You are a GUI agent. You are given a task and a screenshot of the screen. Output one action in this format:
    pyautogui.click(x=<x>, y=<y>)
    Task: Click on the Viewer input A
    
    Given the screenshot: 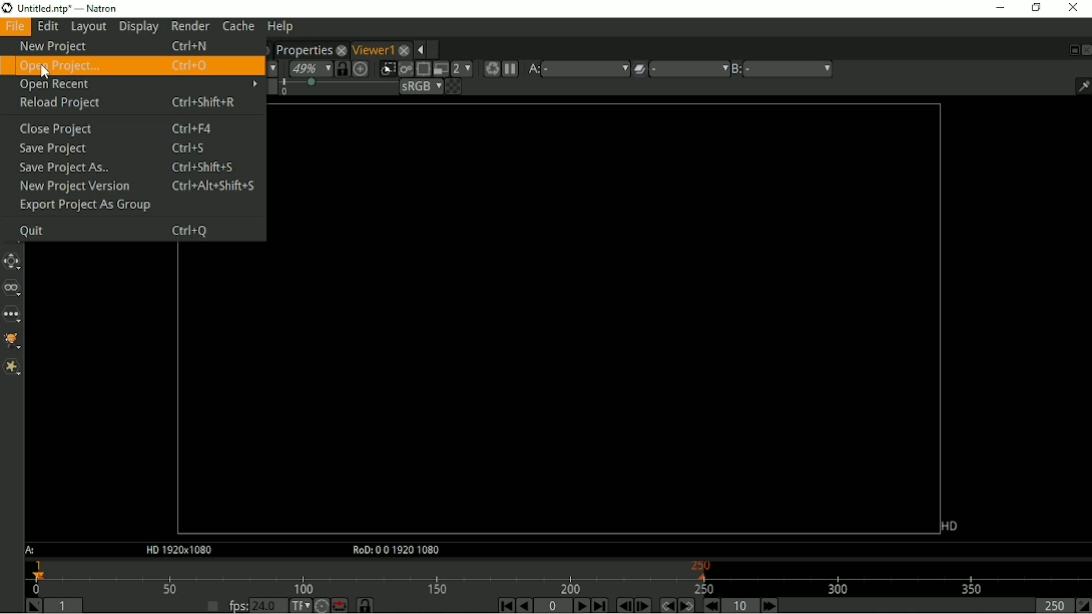 What is the action you would take?
    pyautogui.click(x=532, y=69)
    